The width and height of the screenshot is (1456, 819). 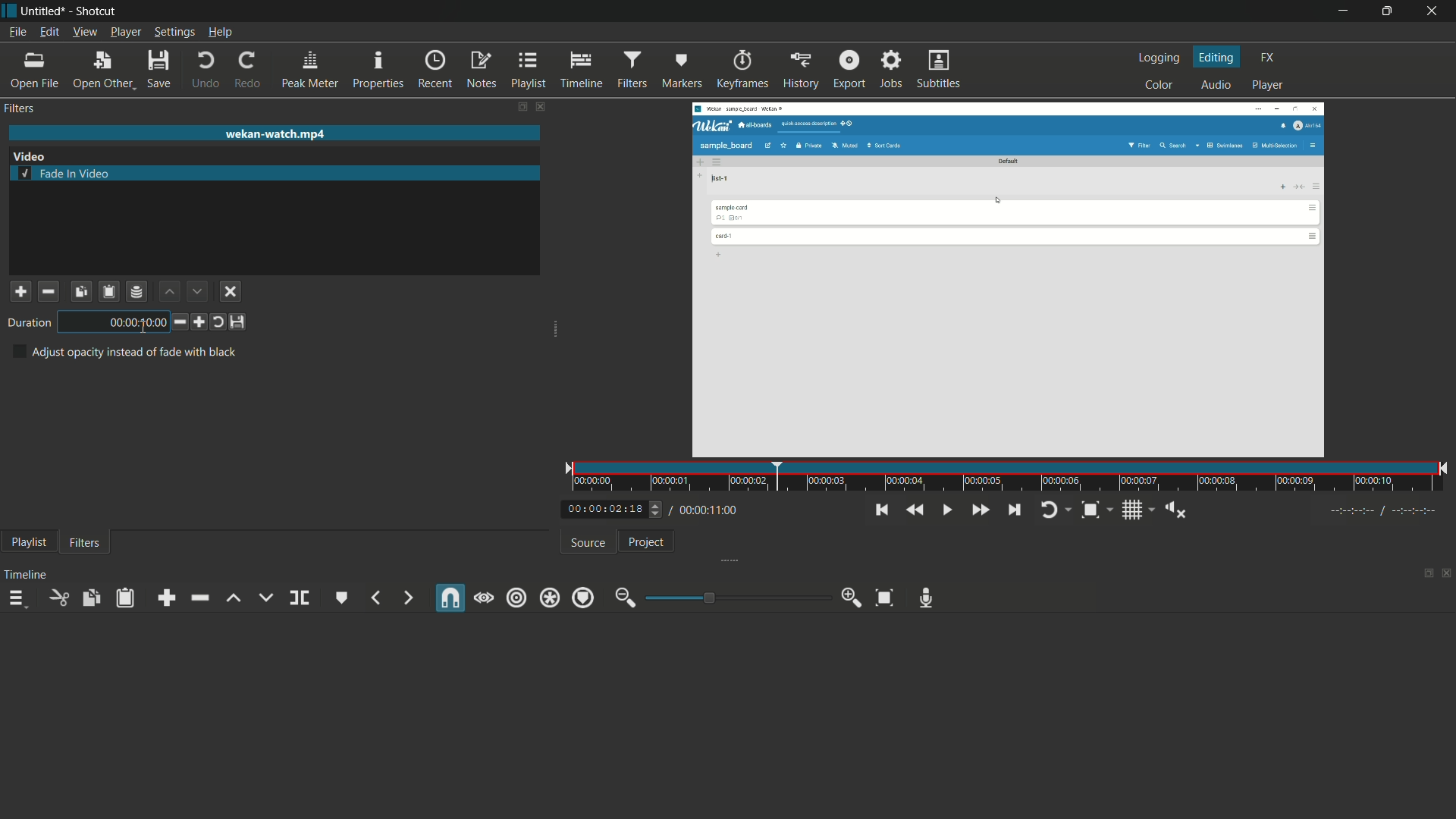 What do you see at coordinates (20, 291) in the screenshot?
I see `add a filter` at bounding box center [20, 291].